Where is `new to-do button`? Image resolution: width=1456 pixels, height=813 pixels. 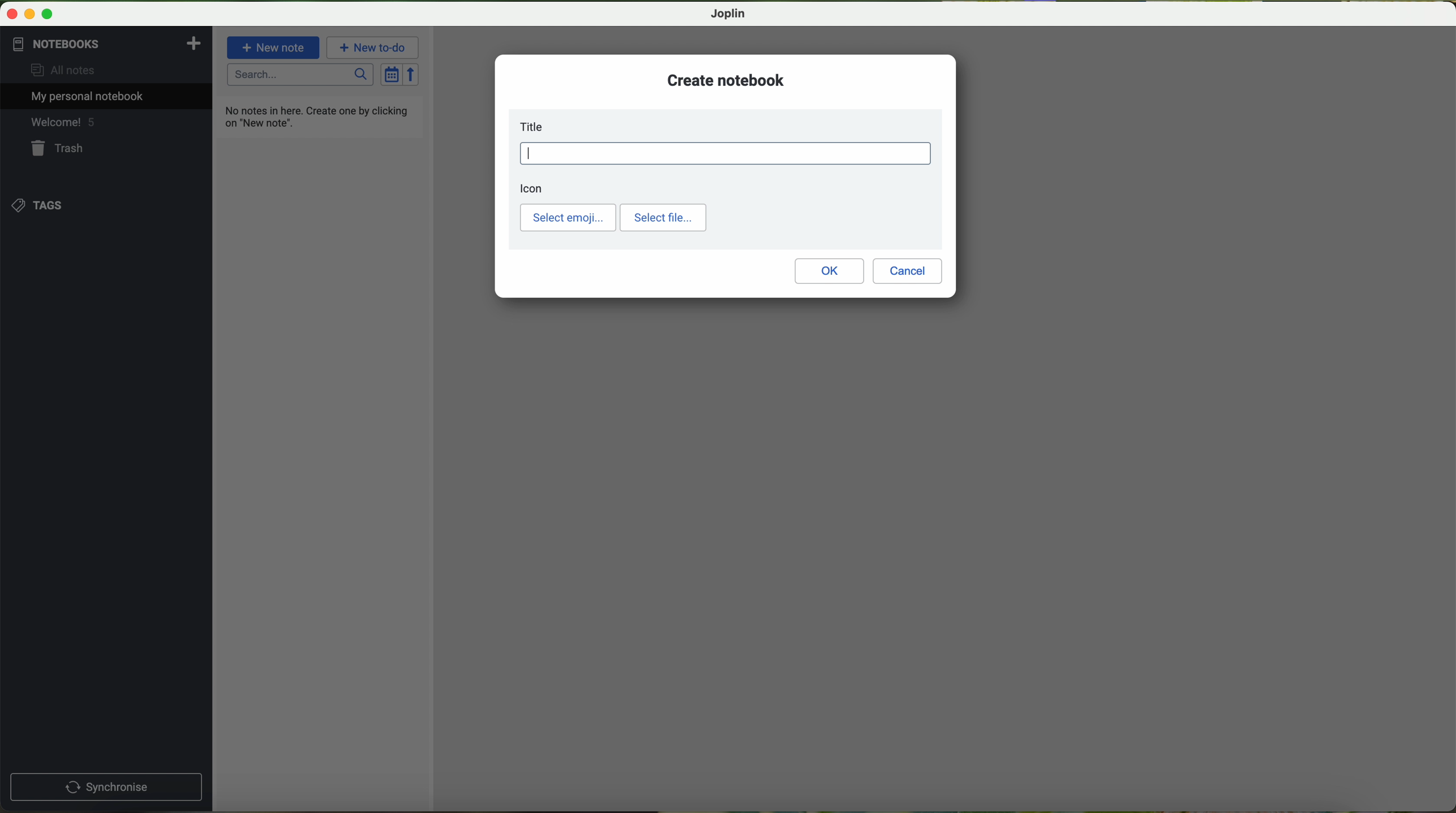
new to-do button is located at coordinates (374, 47).